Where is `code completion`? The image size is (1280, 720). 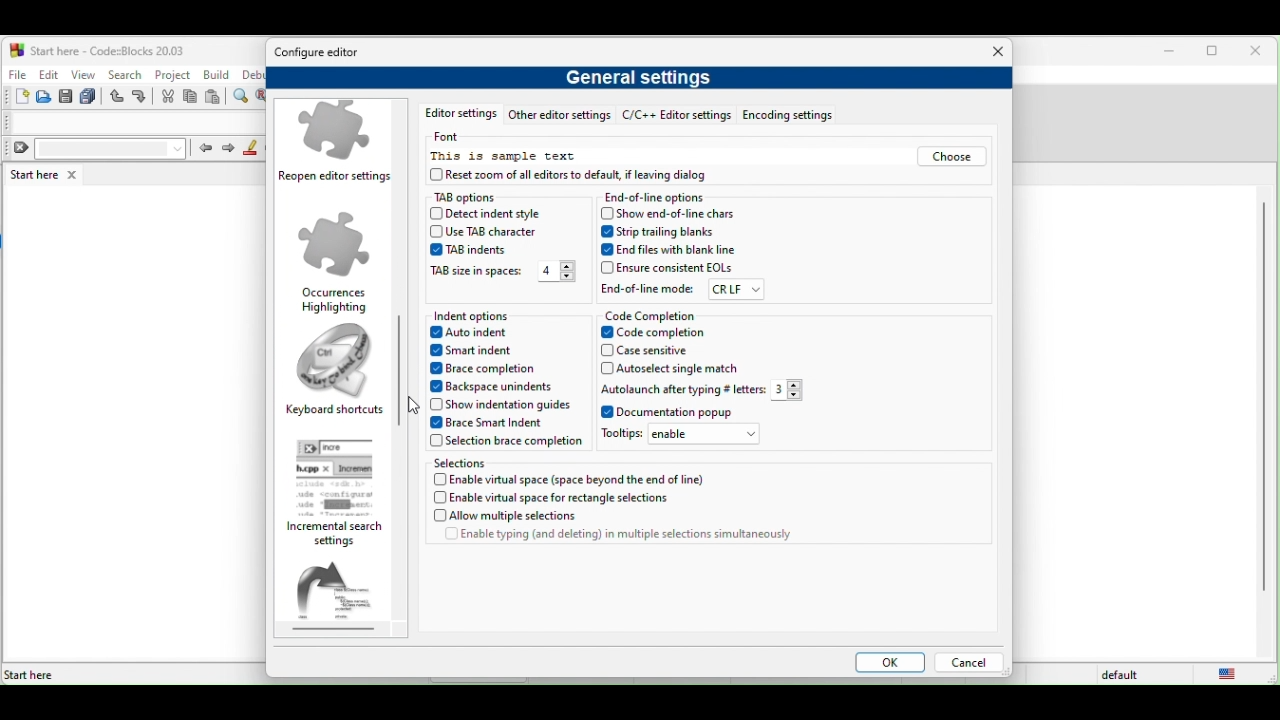 code completion is located at coordinates (653, 315).